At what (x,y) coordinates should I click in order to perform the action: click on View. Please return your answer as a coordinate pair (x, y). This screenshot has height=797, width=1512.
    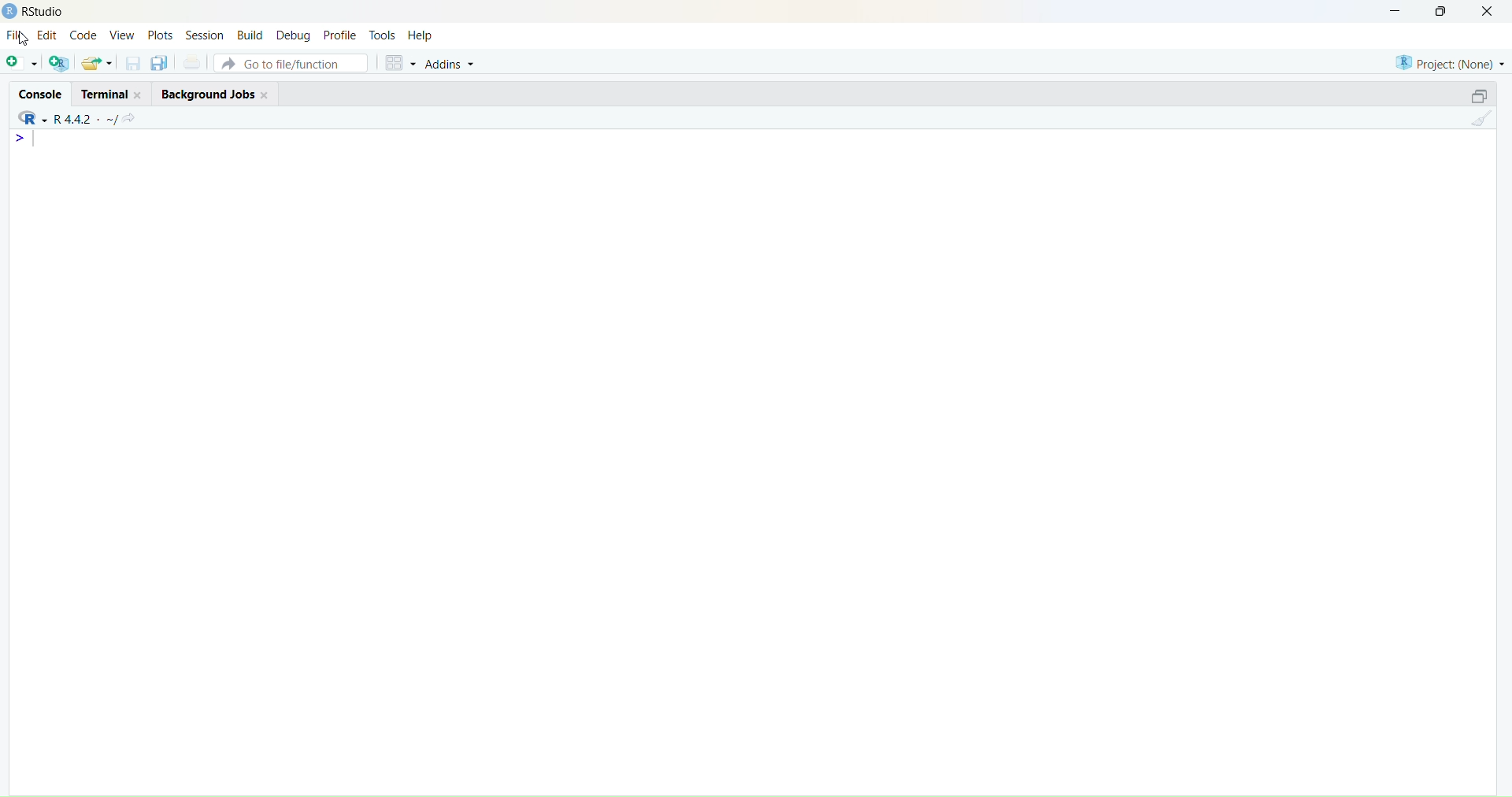
    Looking at the image, I should click on (122, 36).